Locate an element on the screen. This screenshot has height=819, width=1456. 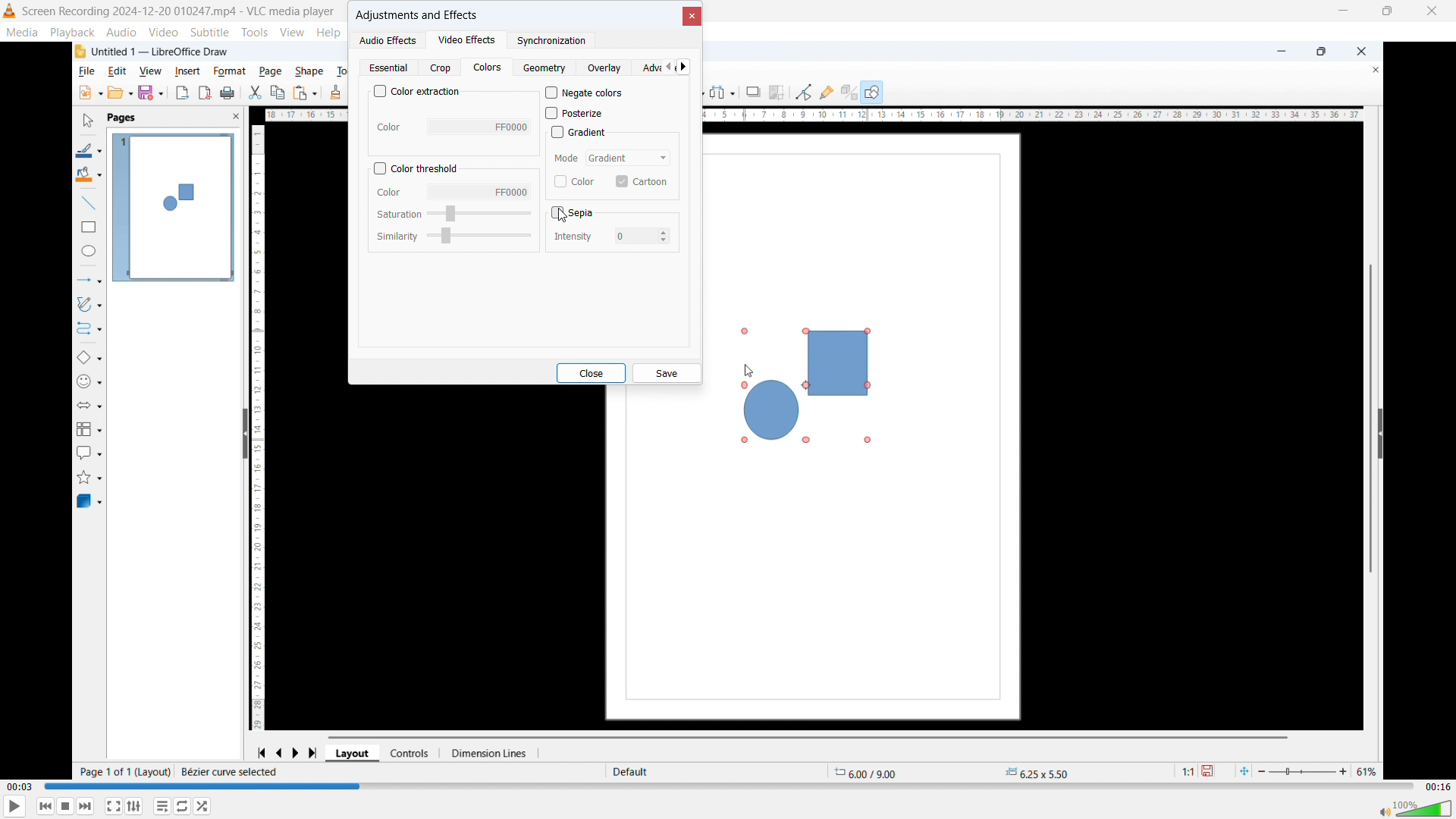
view is located at coordinates (293, 32).